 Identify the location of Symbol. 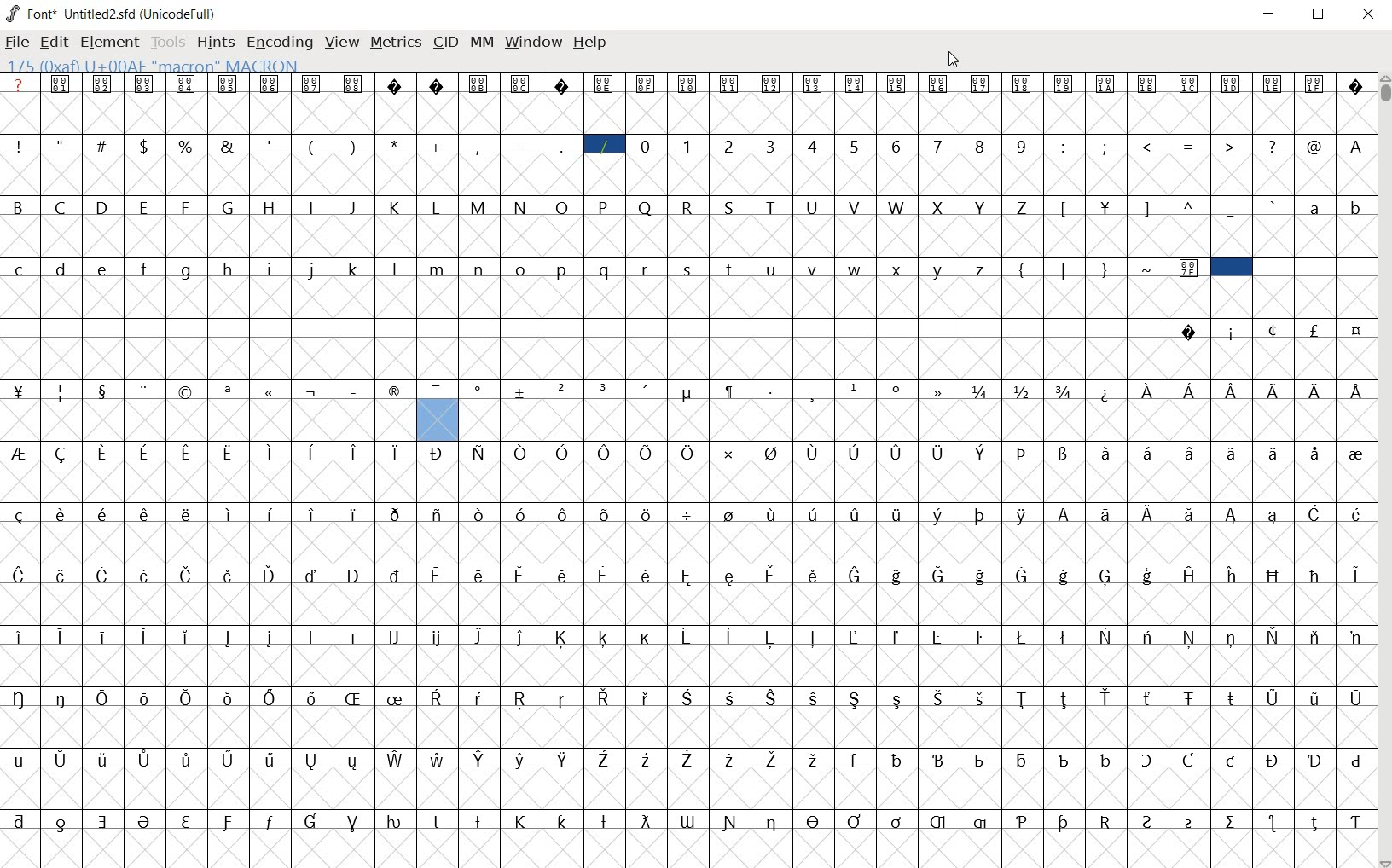
(1066, 452).